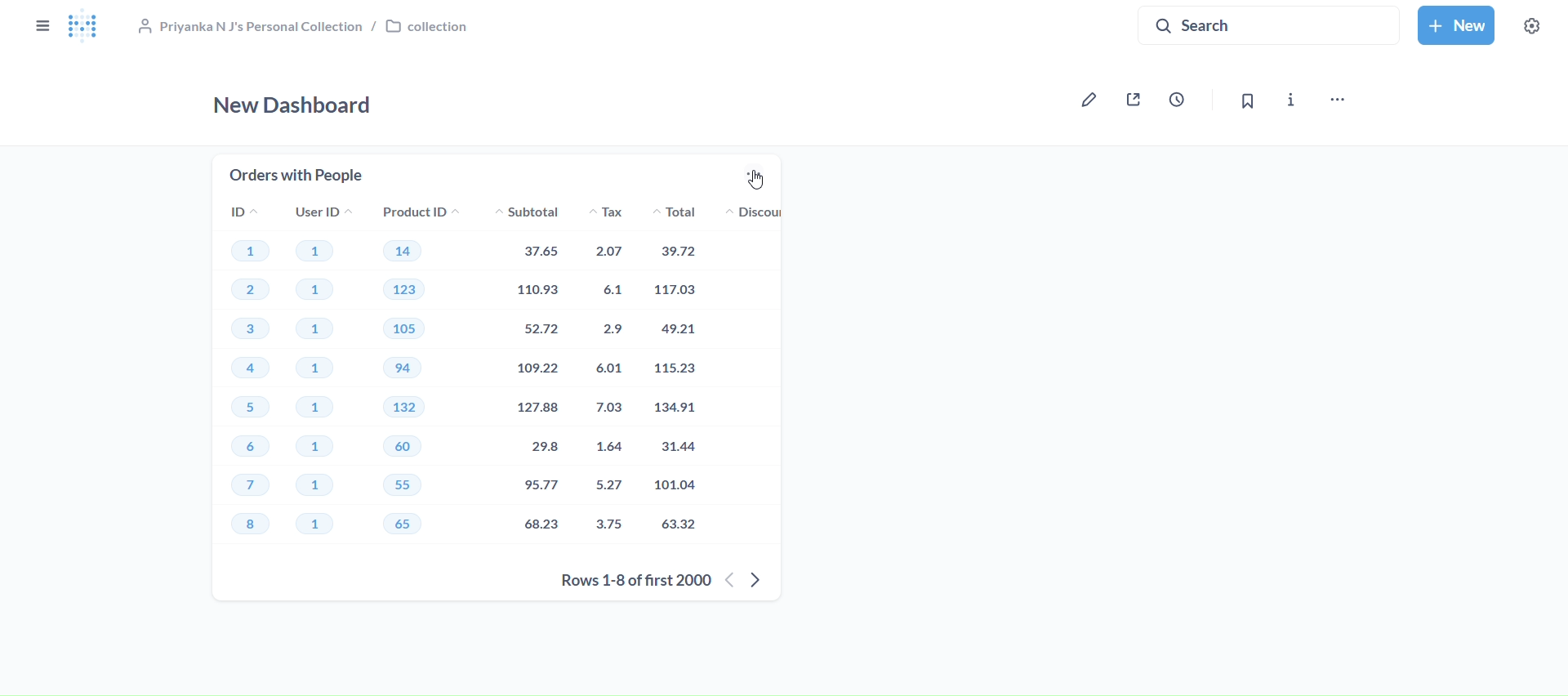  Describe the element at coordinates (755, 214) in the screenshot. I see `discount` at that location.